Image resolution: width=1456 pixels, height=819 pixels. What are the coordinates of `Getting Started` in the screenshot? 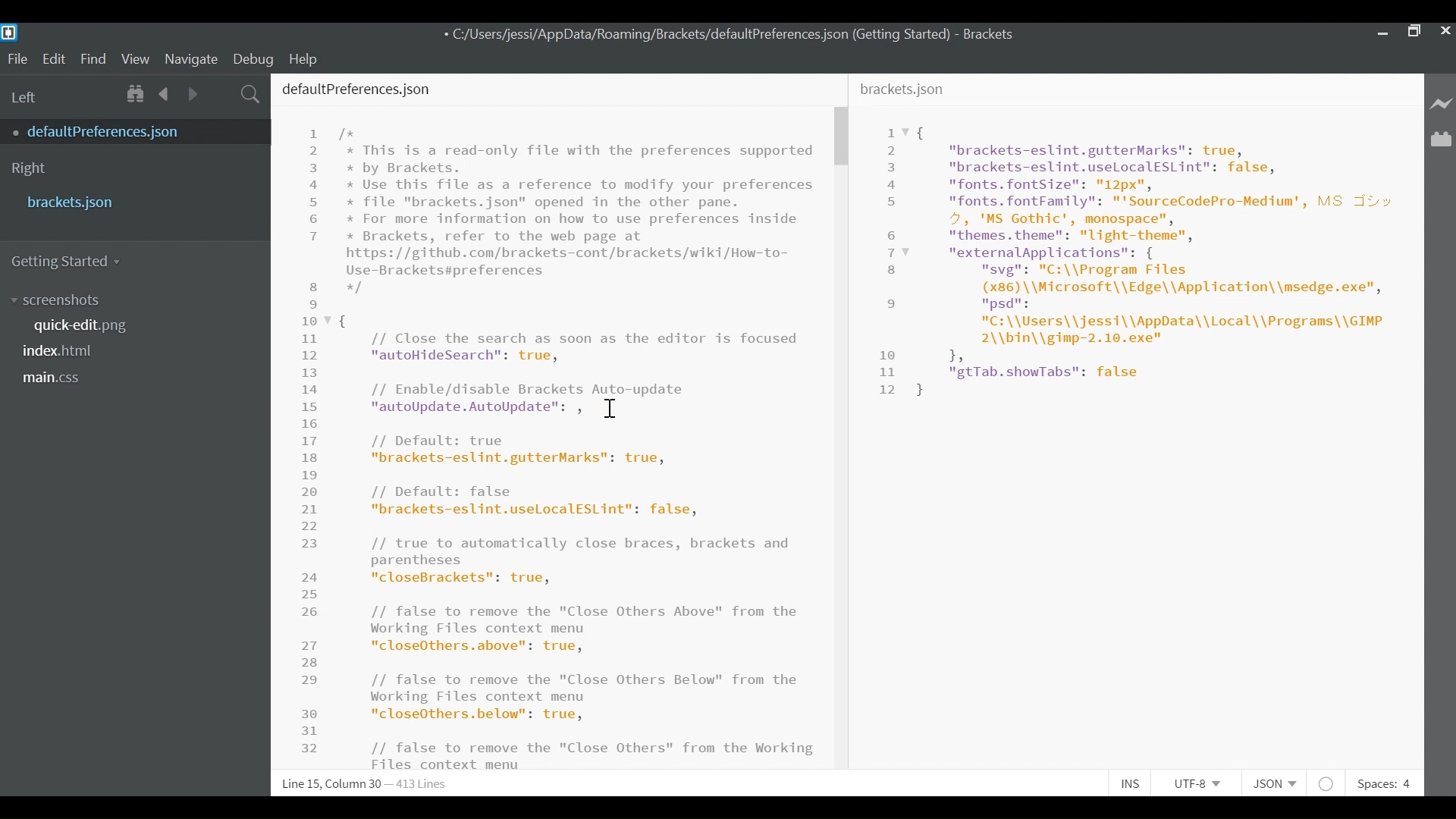 It's located at (73, 262).